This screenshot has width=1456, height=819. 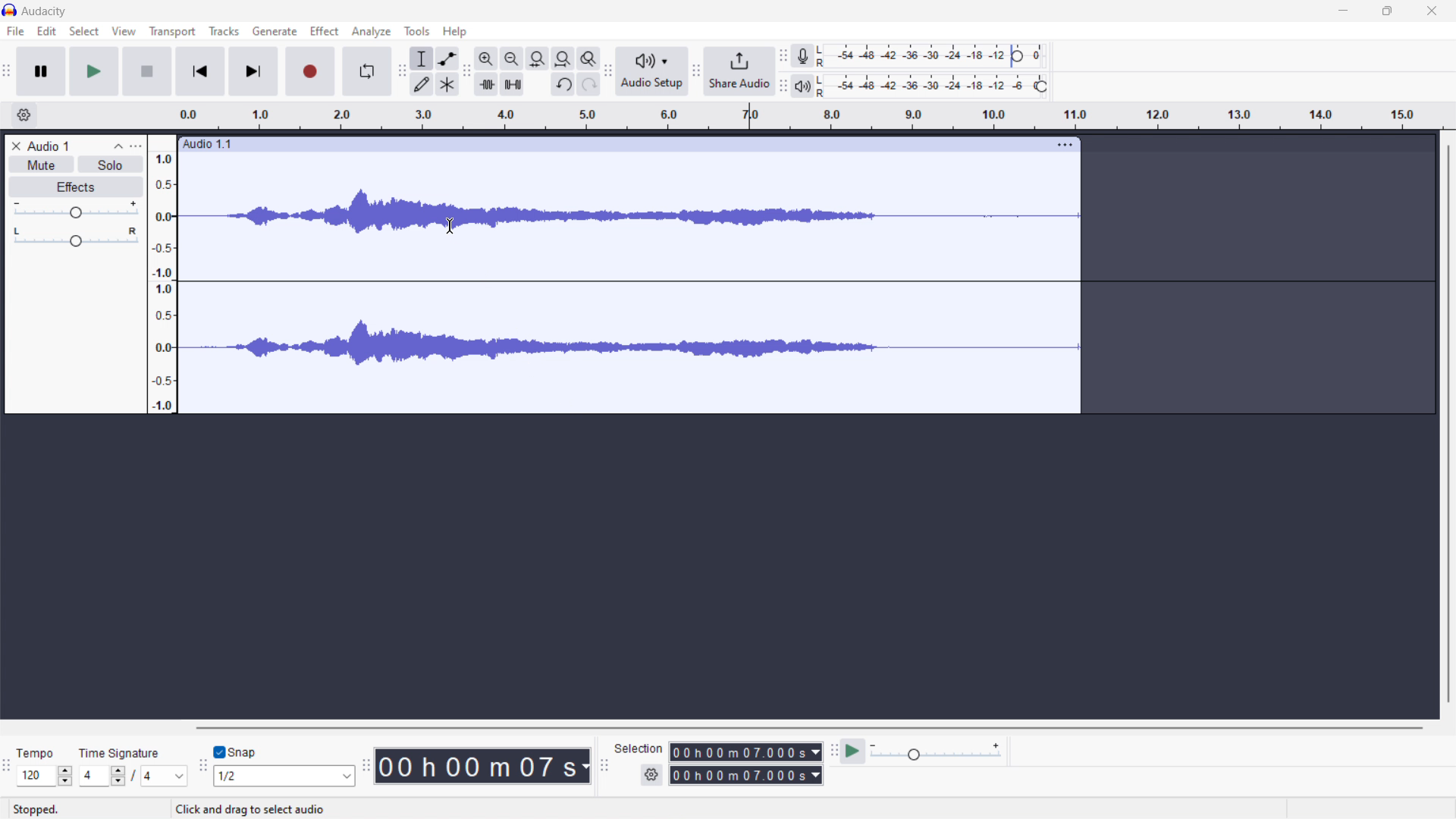 What do you see at coordinates (124, 31) in the screenshot?
I see `view` at bounding box center [124, 31].